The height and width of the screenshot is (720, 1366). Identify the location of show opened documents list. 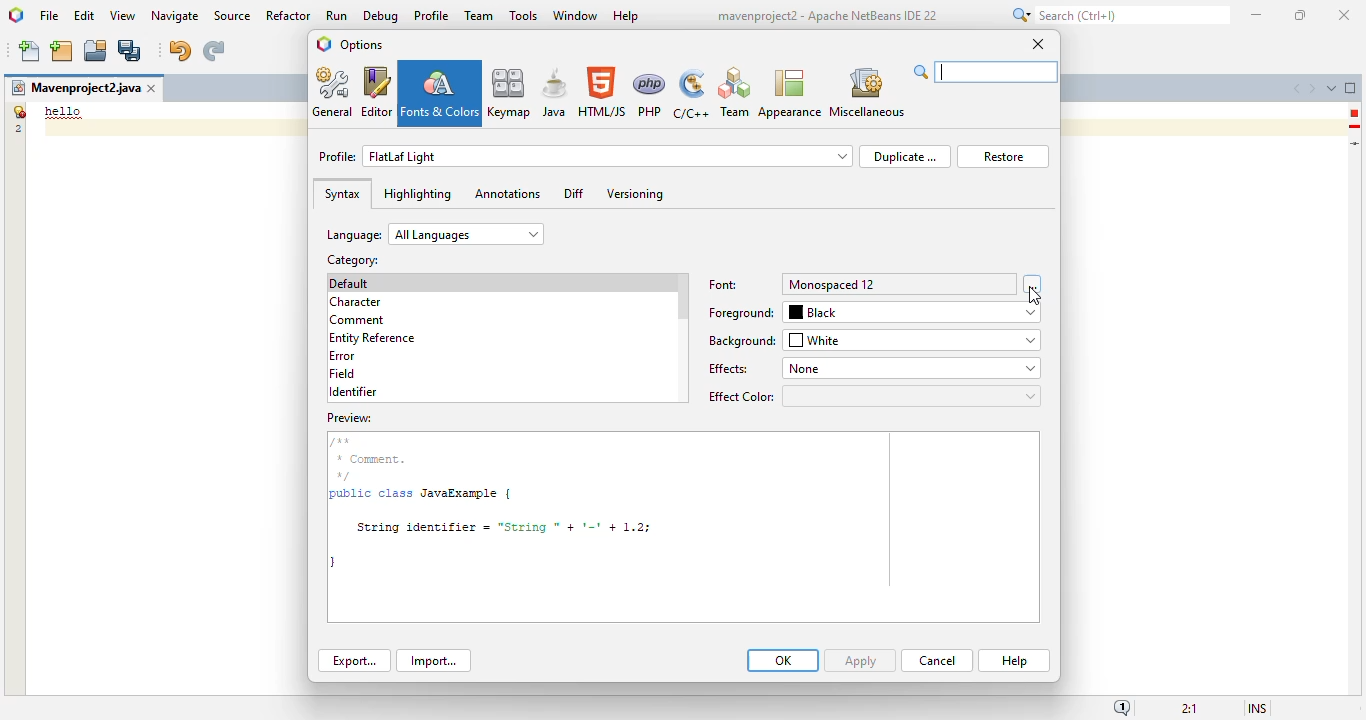
(1331, 88).